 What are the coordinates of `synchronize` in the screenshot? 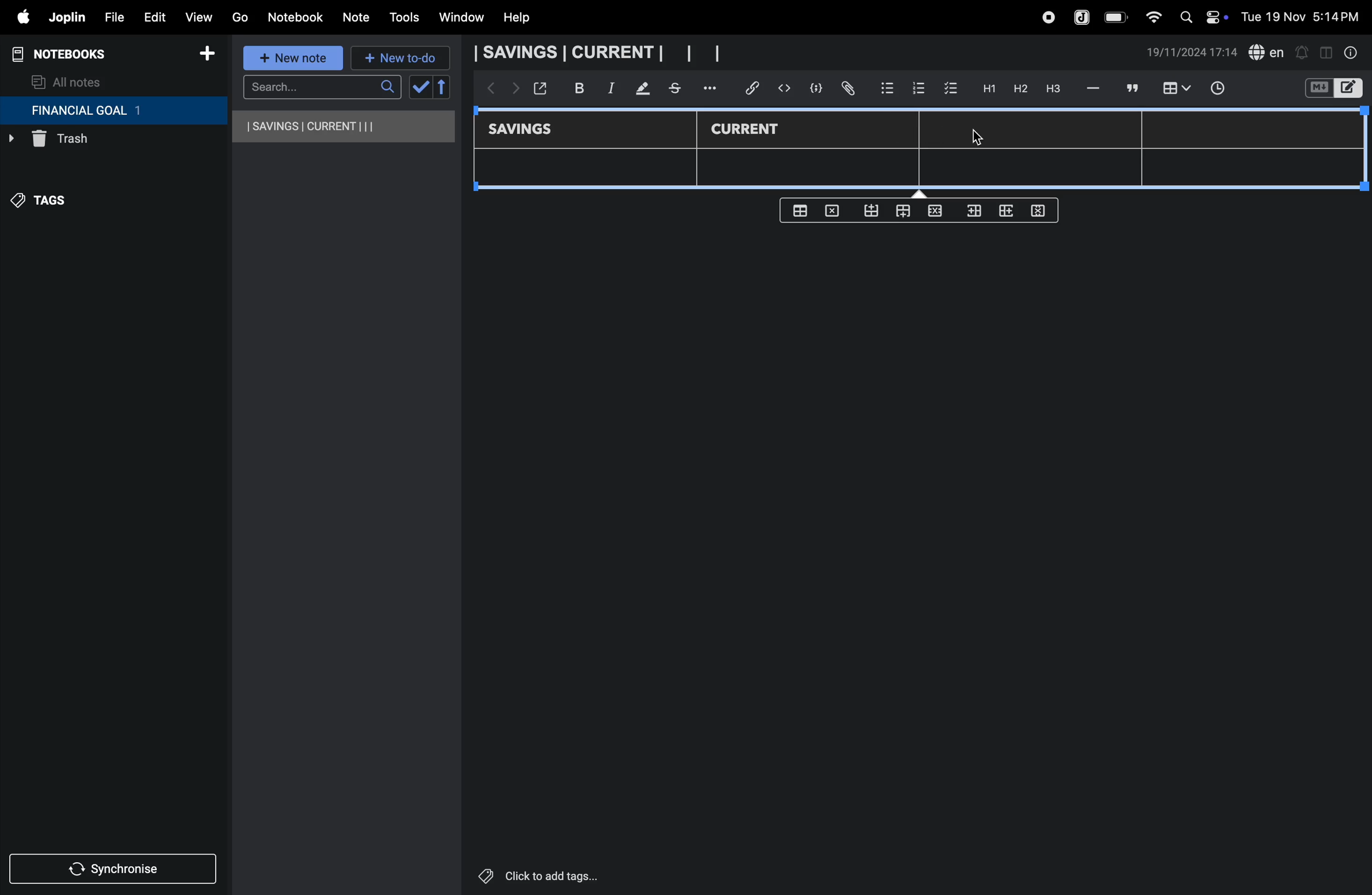 It's located at (114, 867).